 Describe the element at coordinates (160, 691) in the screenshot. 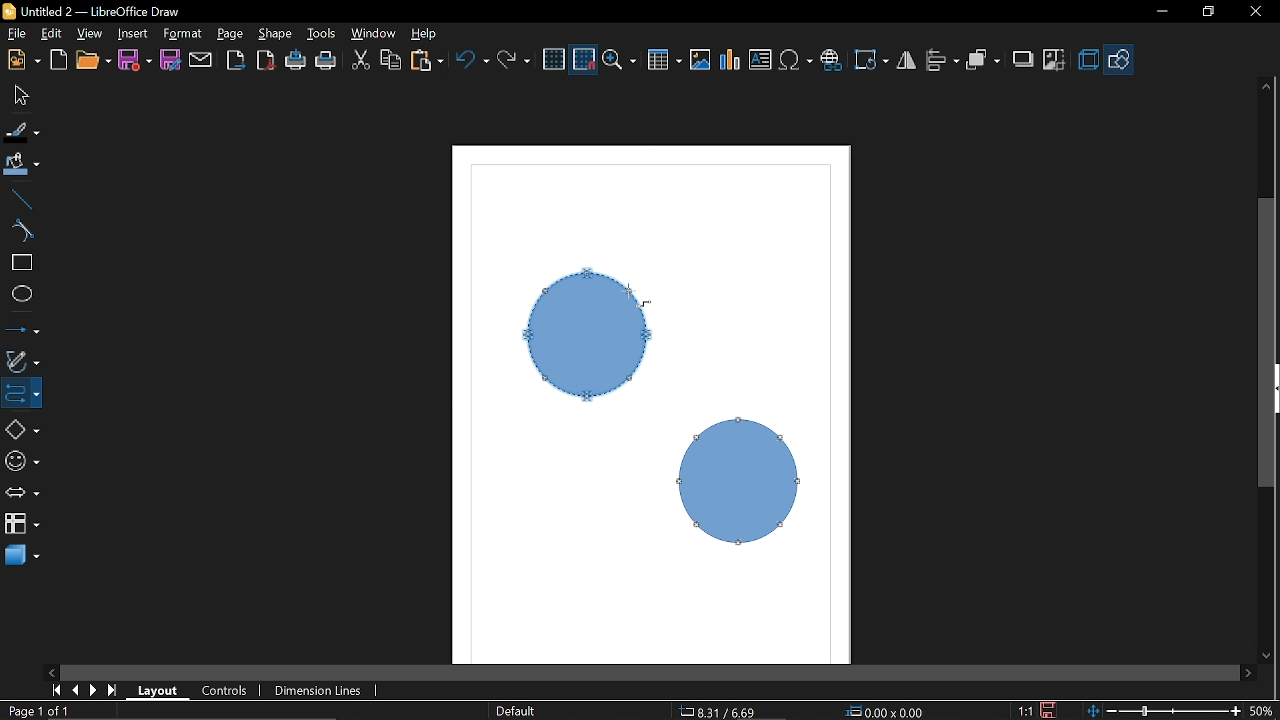

I see `Layout` at that location.